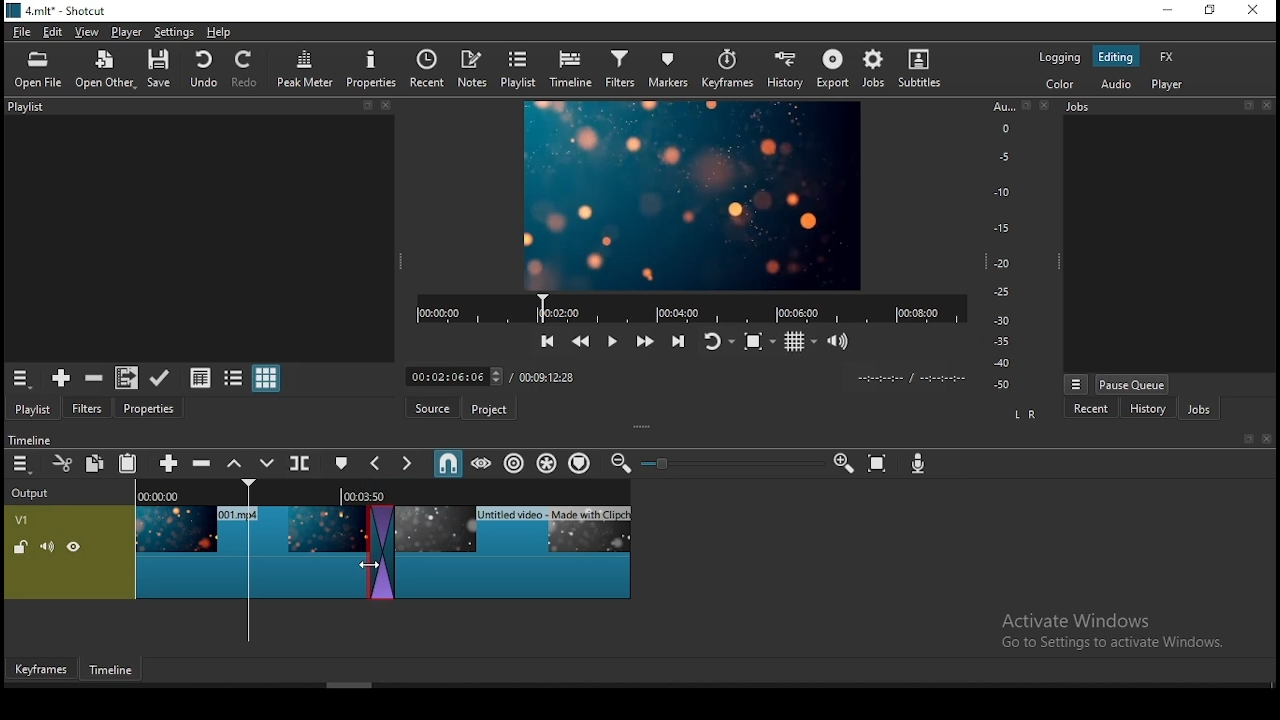 This screenshot has height=720, width=1280. I want to click on video track, so click(70, 551).